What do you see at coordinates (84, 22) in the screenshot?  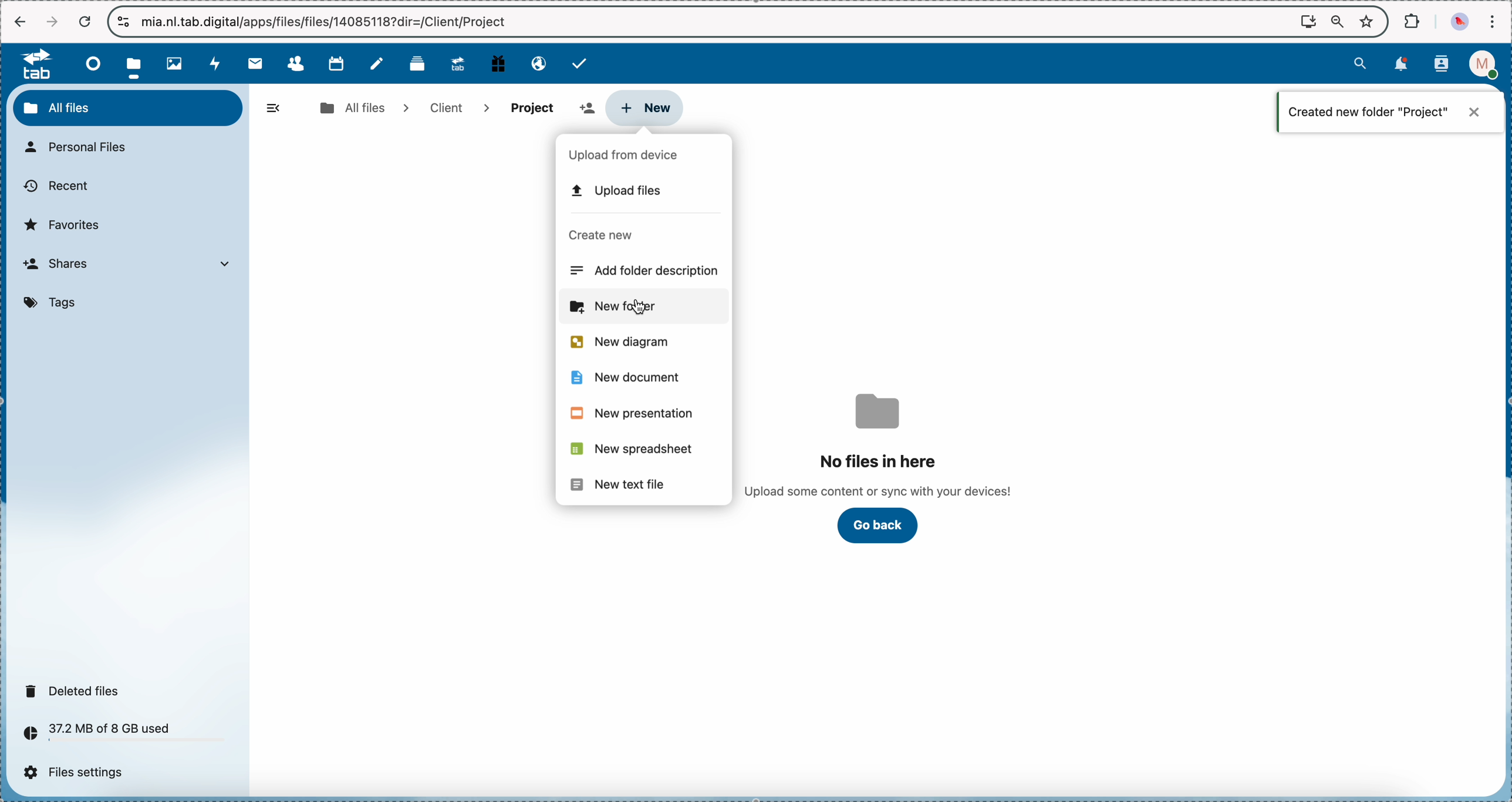 I see `cancel` at bounding box center [84, 22].